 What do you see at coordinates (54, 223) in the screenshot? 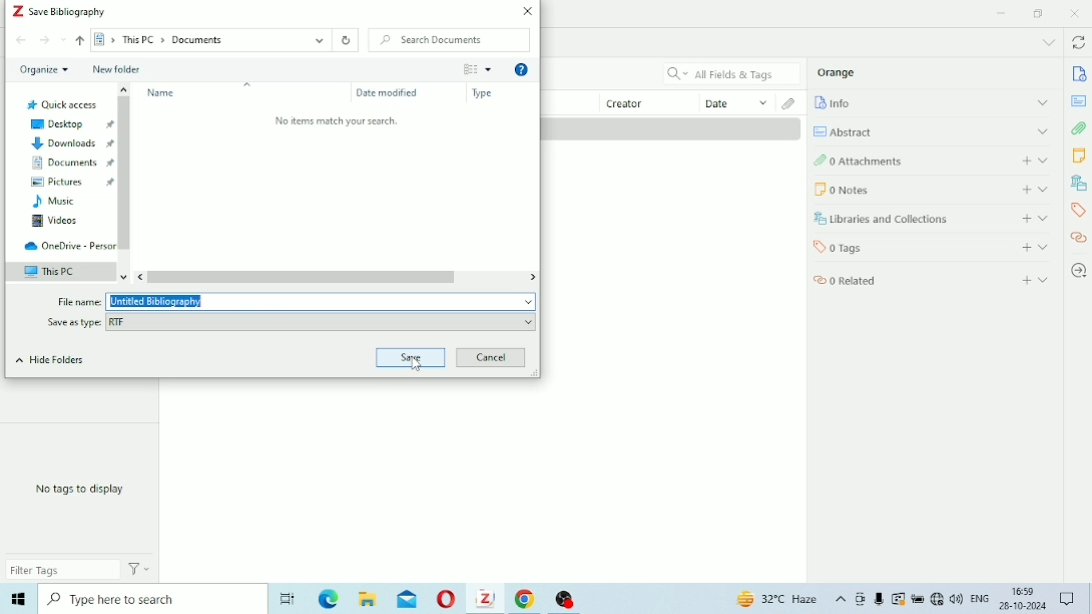
I see `Videos` at bounding box center [54, 223].